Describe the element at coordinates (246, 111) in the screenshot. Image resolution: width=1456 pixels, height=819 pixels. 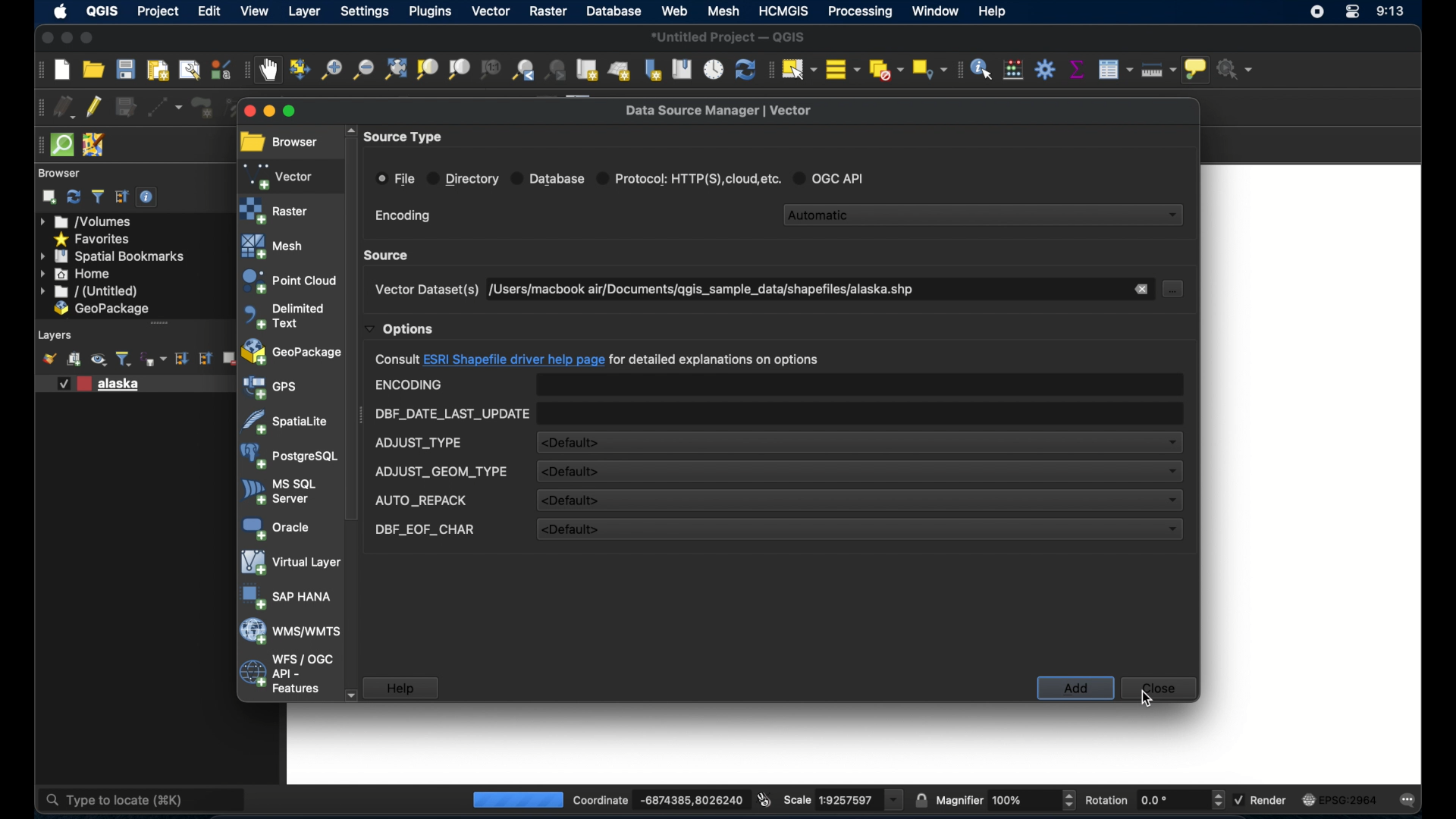
I see `close` at that location.